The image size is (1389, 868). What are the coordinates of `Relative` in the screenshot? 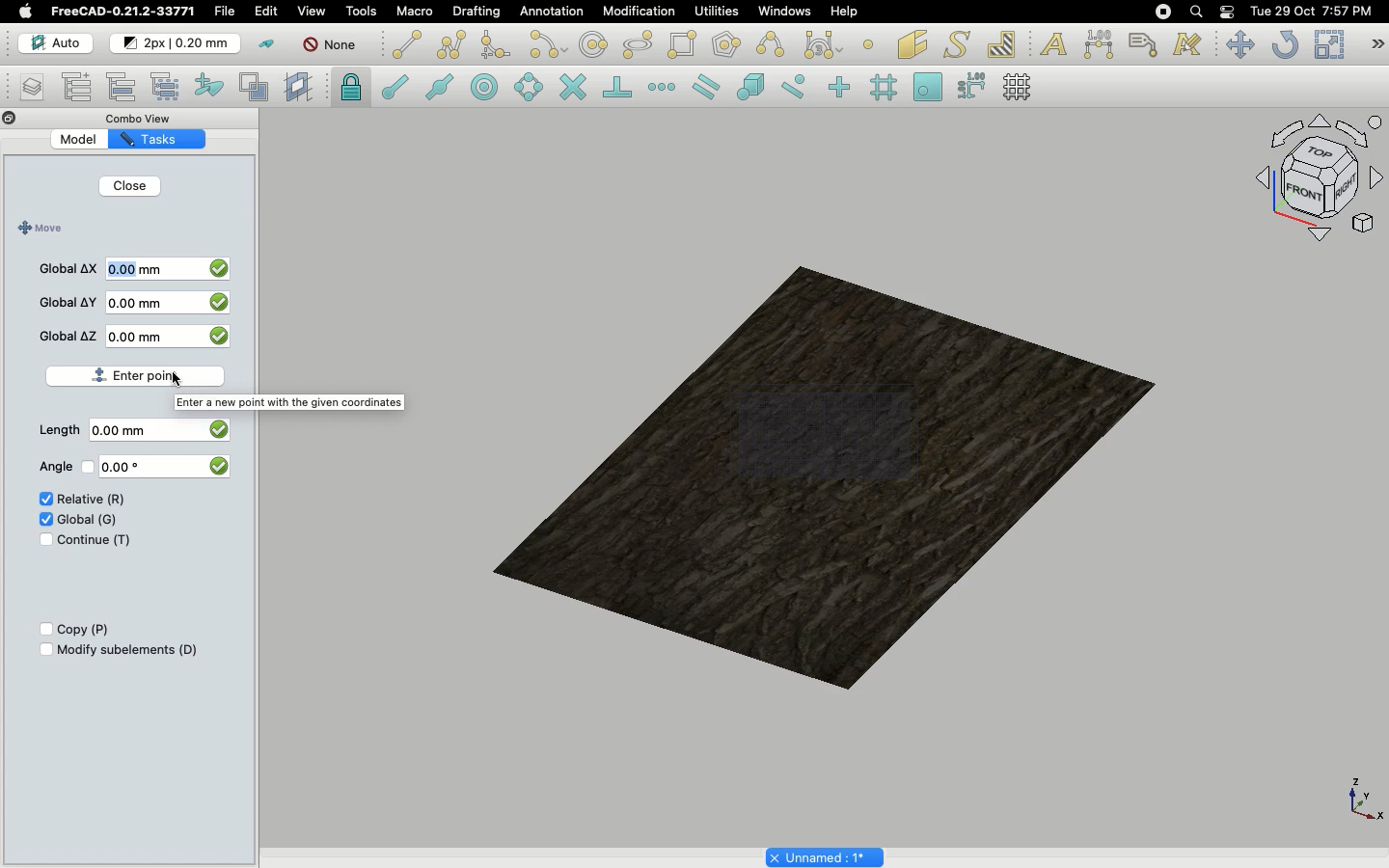 It's located at (92, 500).